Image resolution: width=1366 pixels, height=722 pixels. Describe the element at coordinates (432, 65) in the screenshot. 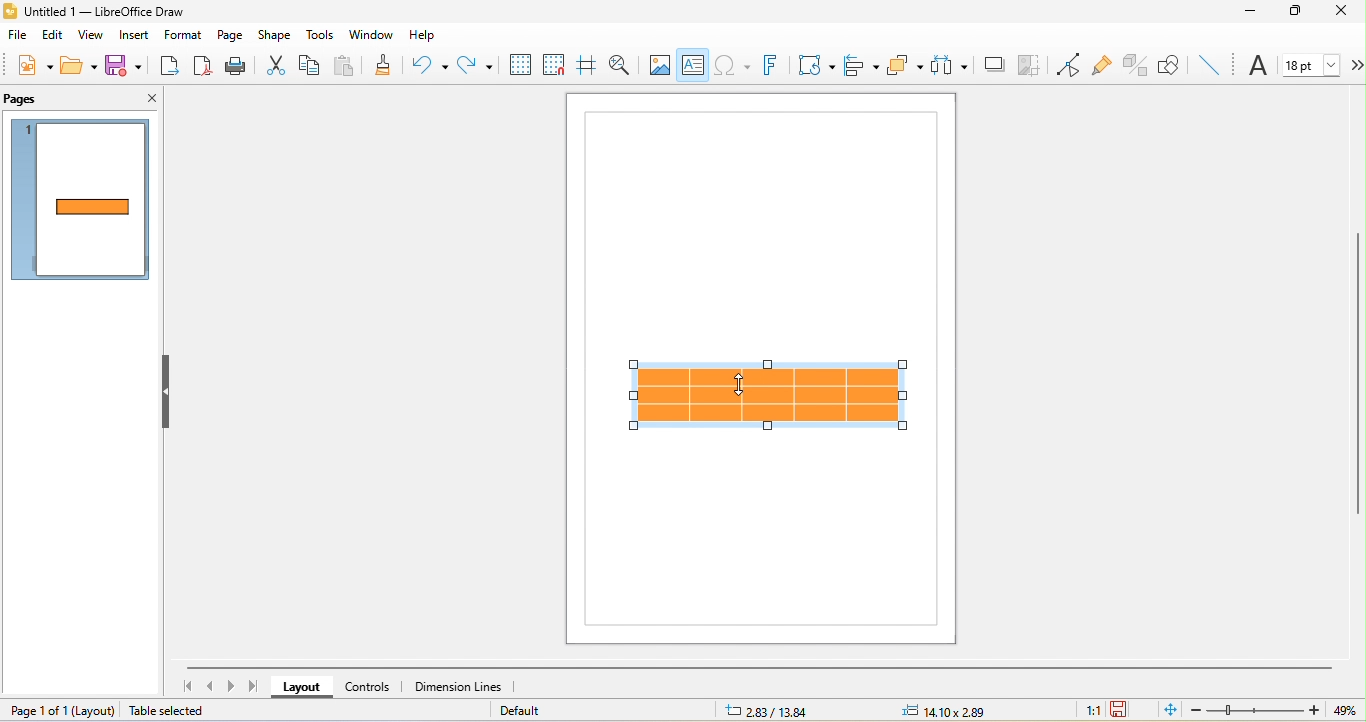

I see `undo` at that location.